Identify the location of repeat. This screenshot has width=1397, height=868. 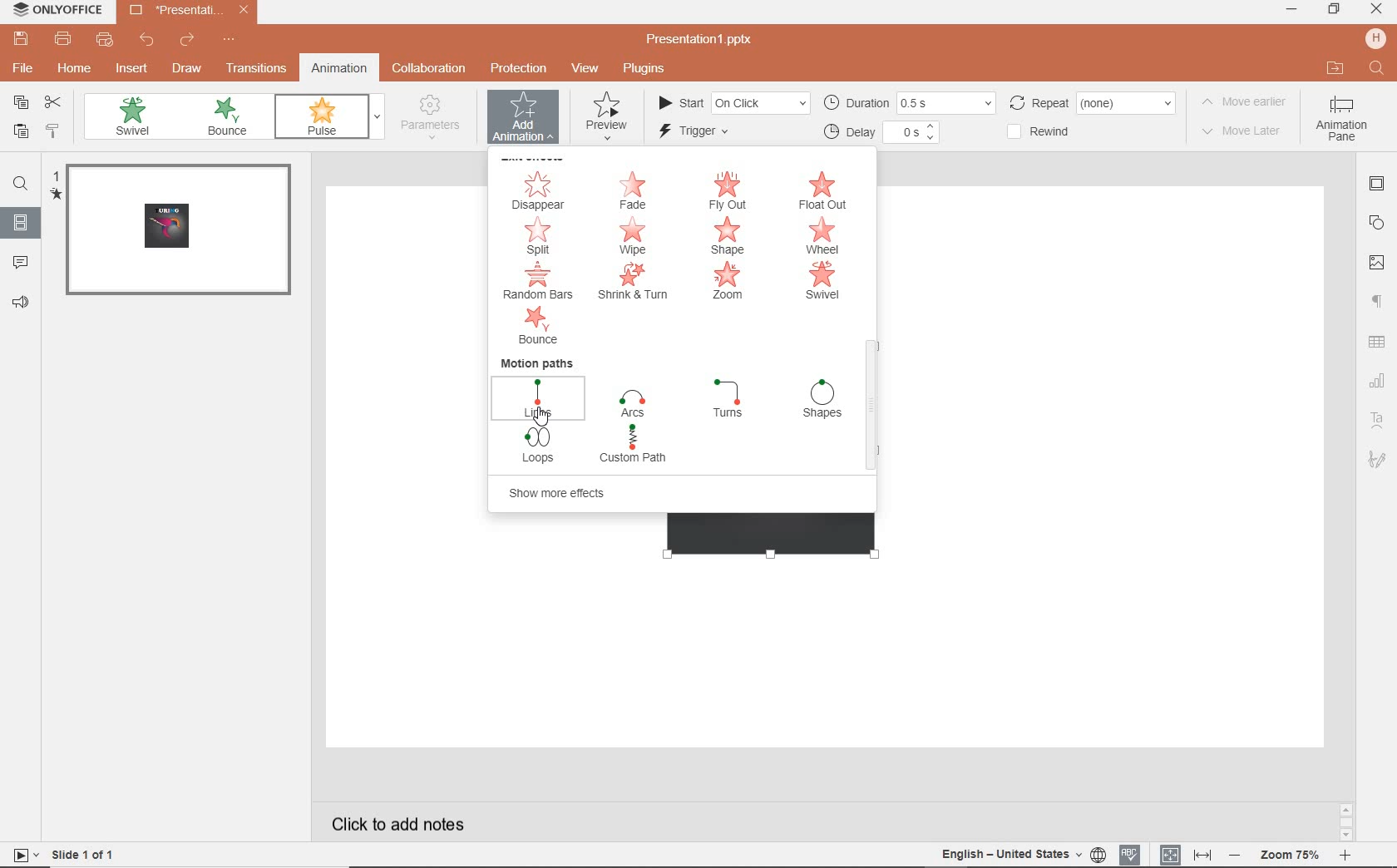
(1093, 101).